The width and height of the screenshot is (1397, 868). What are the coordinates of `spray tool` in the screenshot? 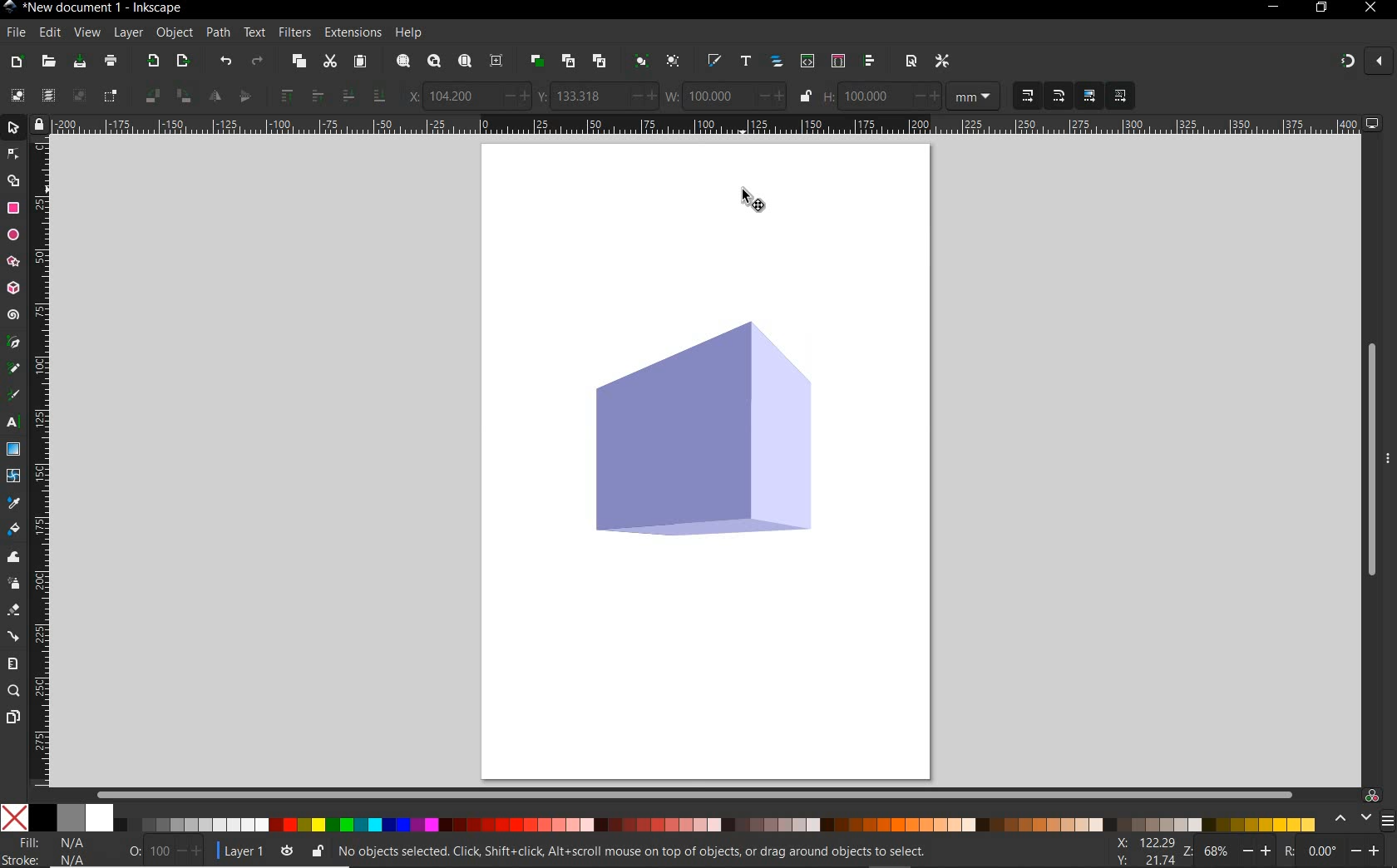 It's located at (15, 583).